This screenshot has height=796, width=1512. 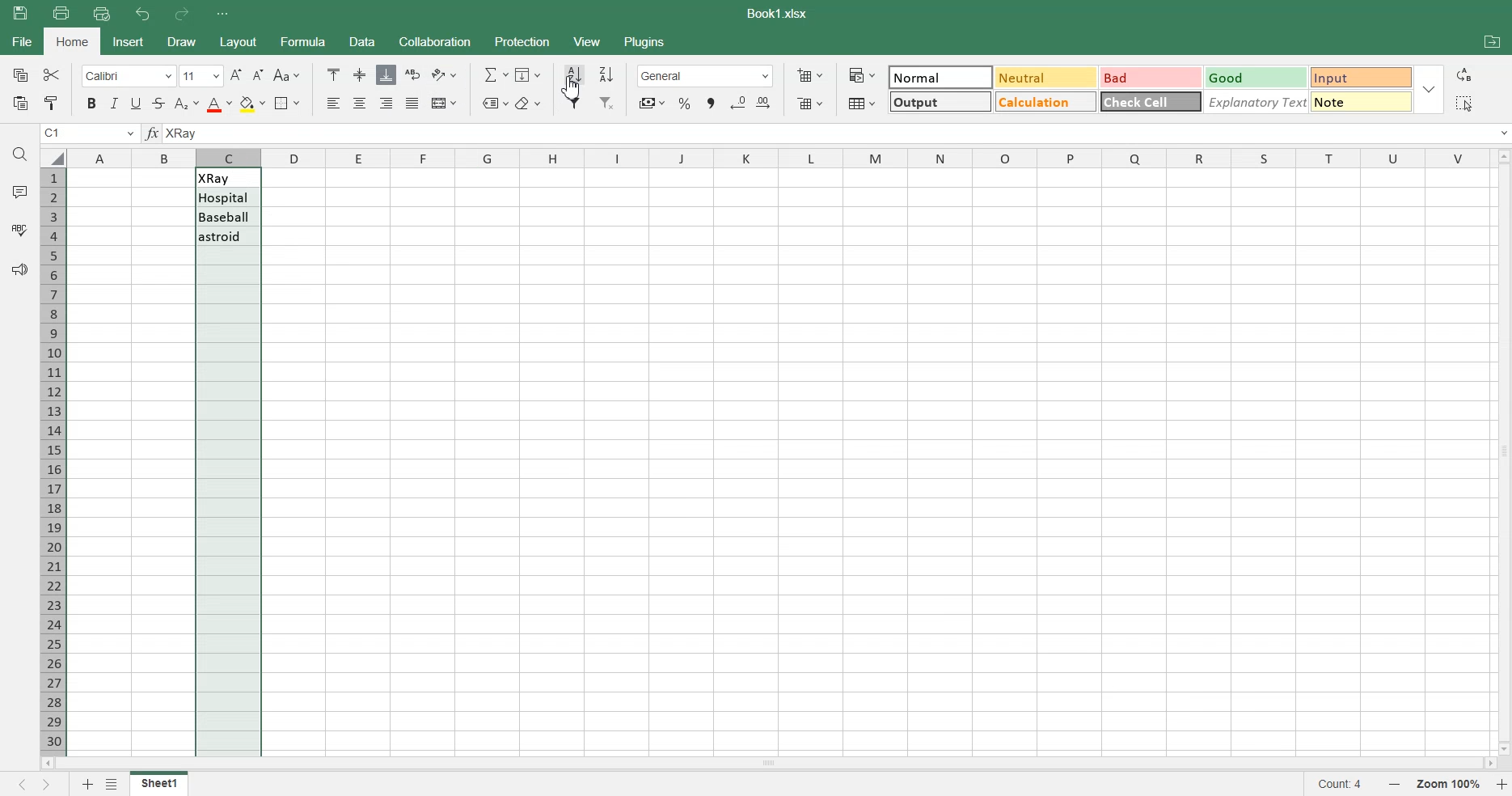 I want to click on Calibri (Change Font), so click(x=125, y=74).